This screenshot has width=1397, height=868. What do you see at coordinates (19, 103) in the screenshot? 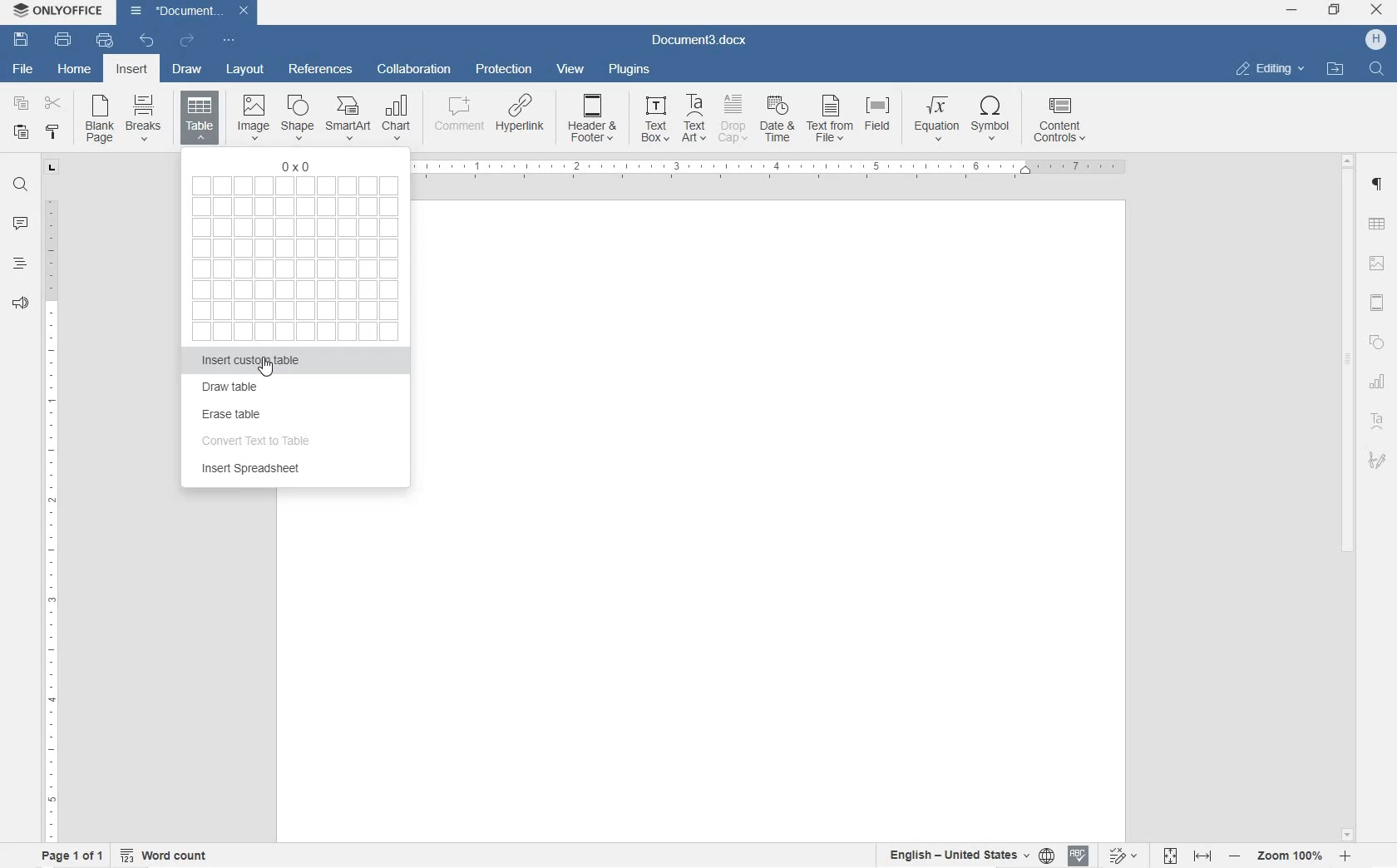
I see `COPY` at bounding box center [19, 103].